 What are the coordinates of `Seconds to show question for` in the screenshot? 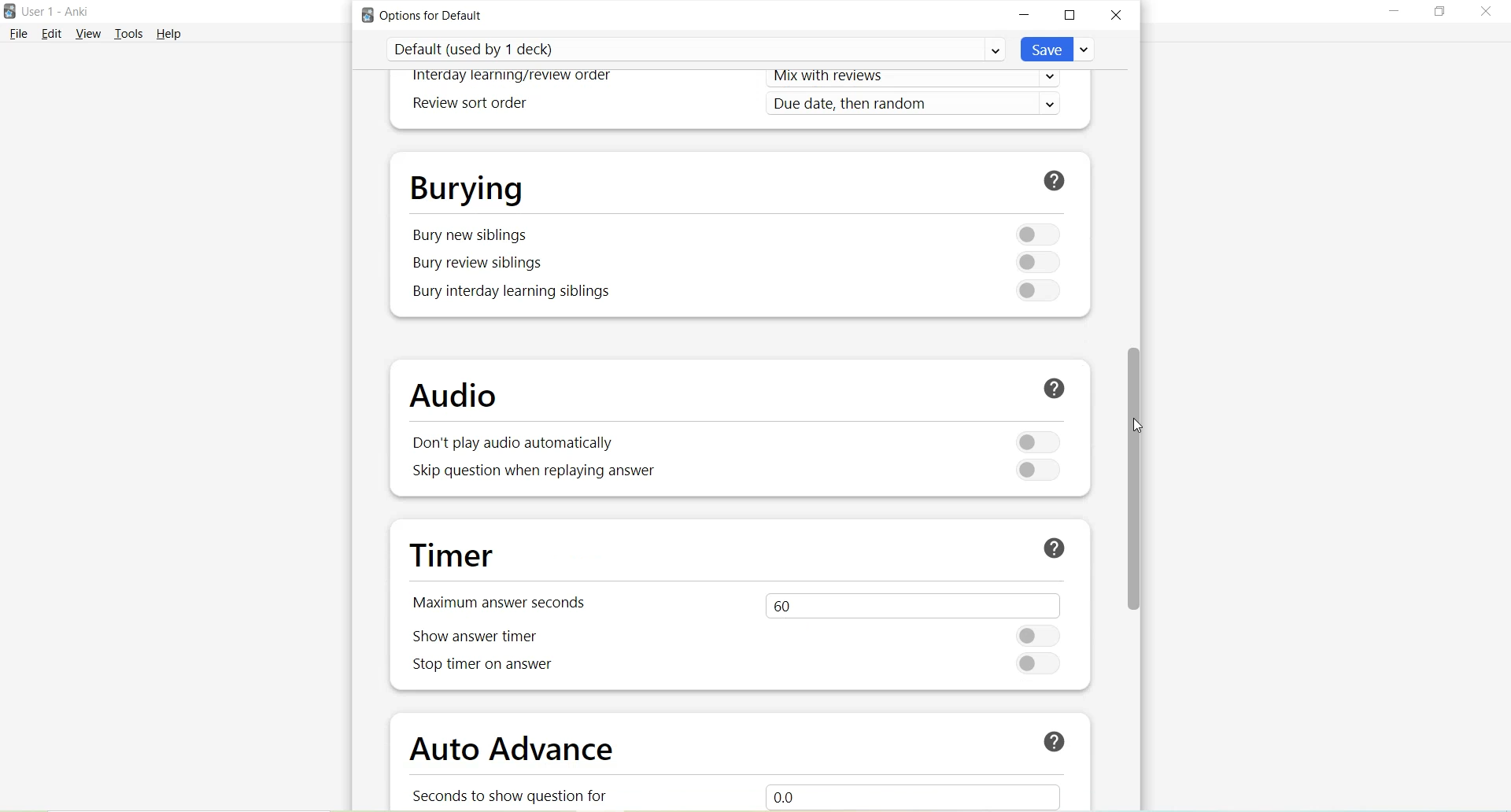 It's located at (518, 795).